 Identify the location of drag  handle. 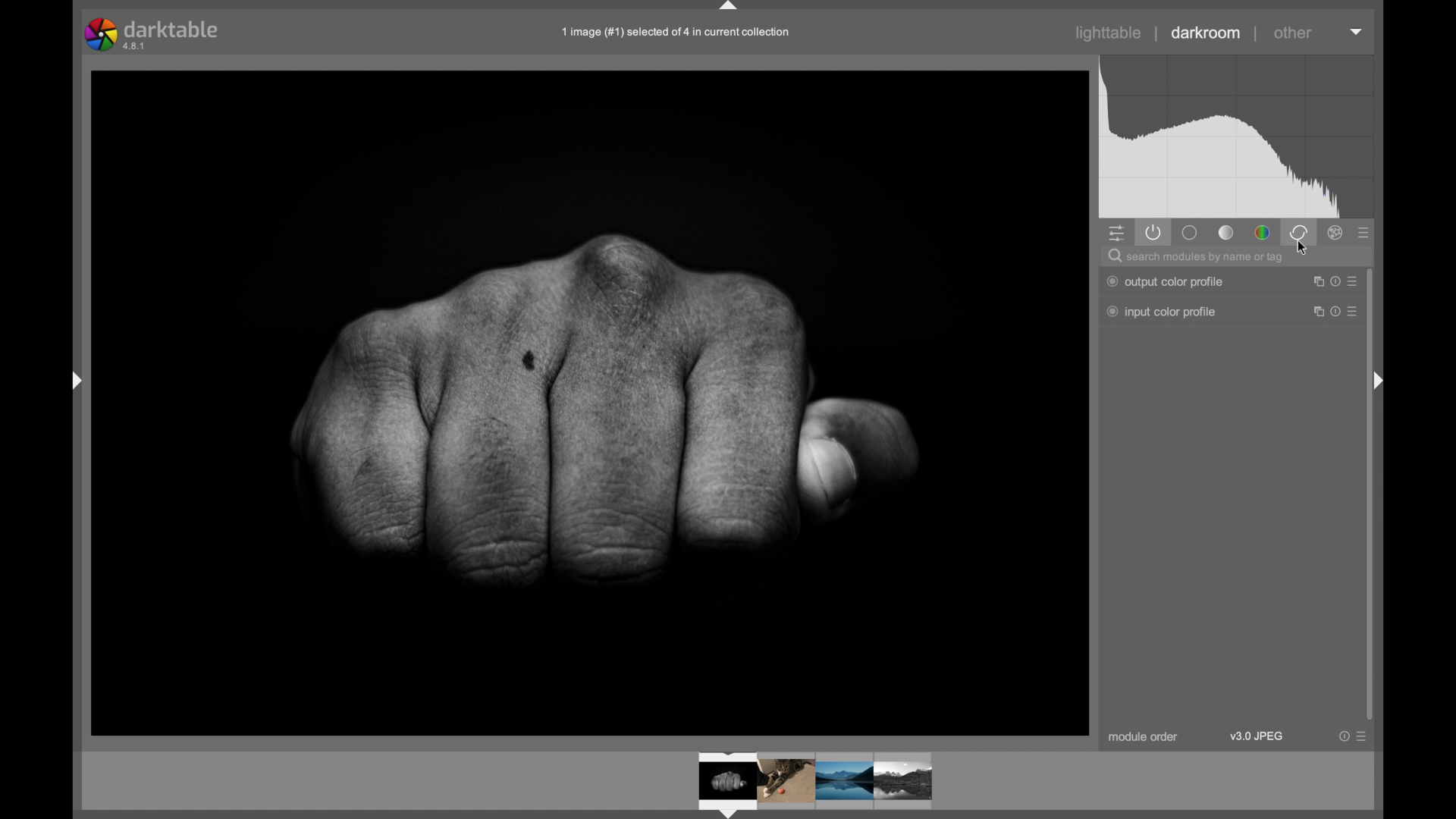
(1379, 379).